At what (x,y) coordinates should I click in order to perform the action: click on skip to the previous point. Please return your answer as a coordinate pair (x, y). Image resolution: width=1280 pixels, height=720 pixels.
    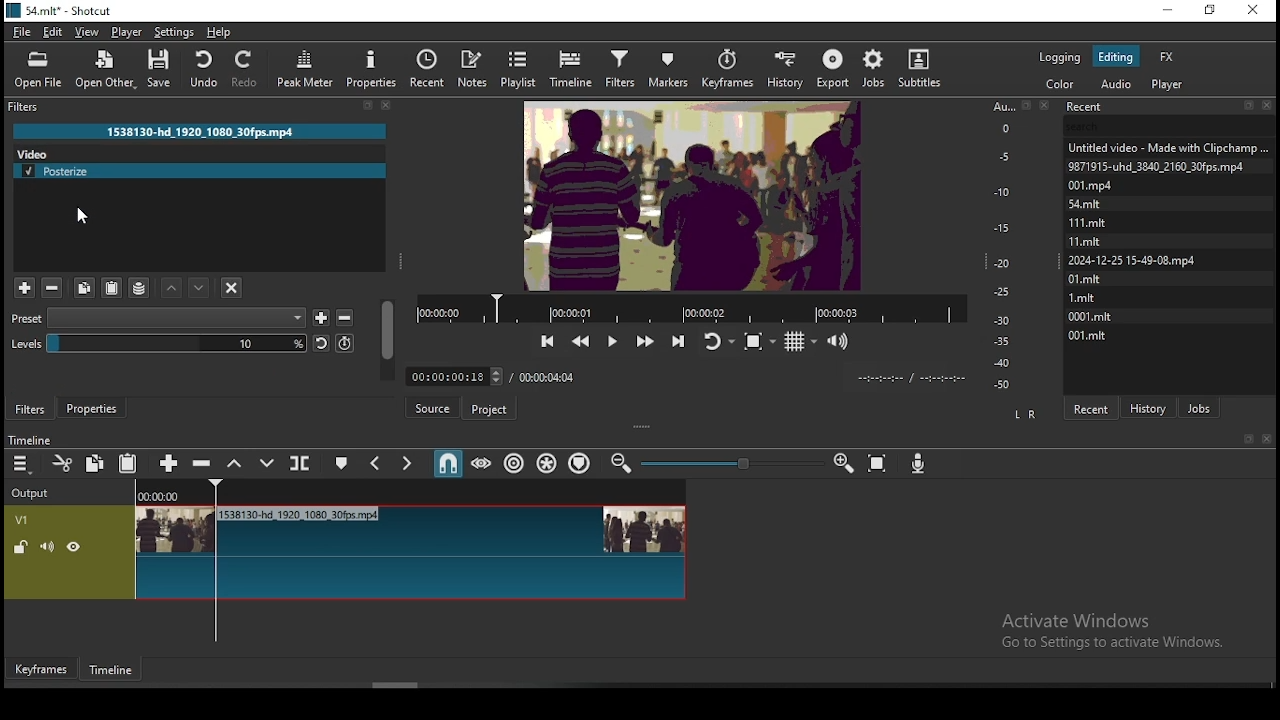
    Looking at the image, I should click on (543, 340).